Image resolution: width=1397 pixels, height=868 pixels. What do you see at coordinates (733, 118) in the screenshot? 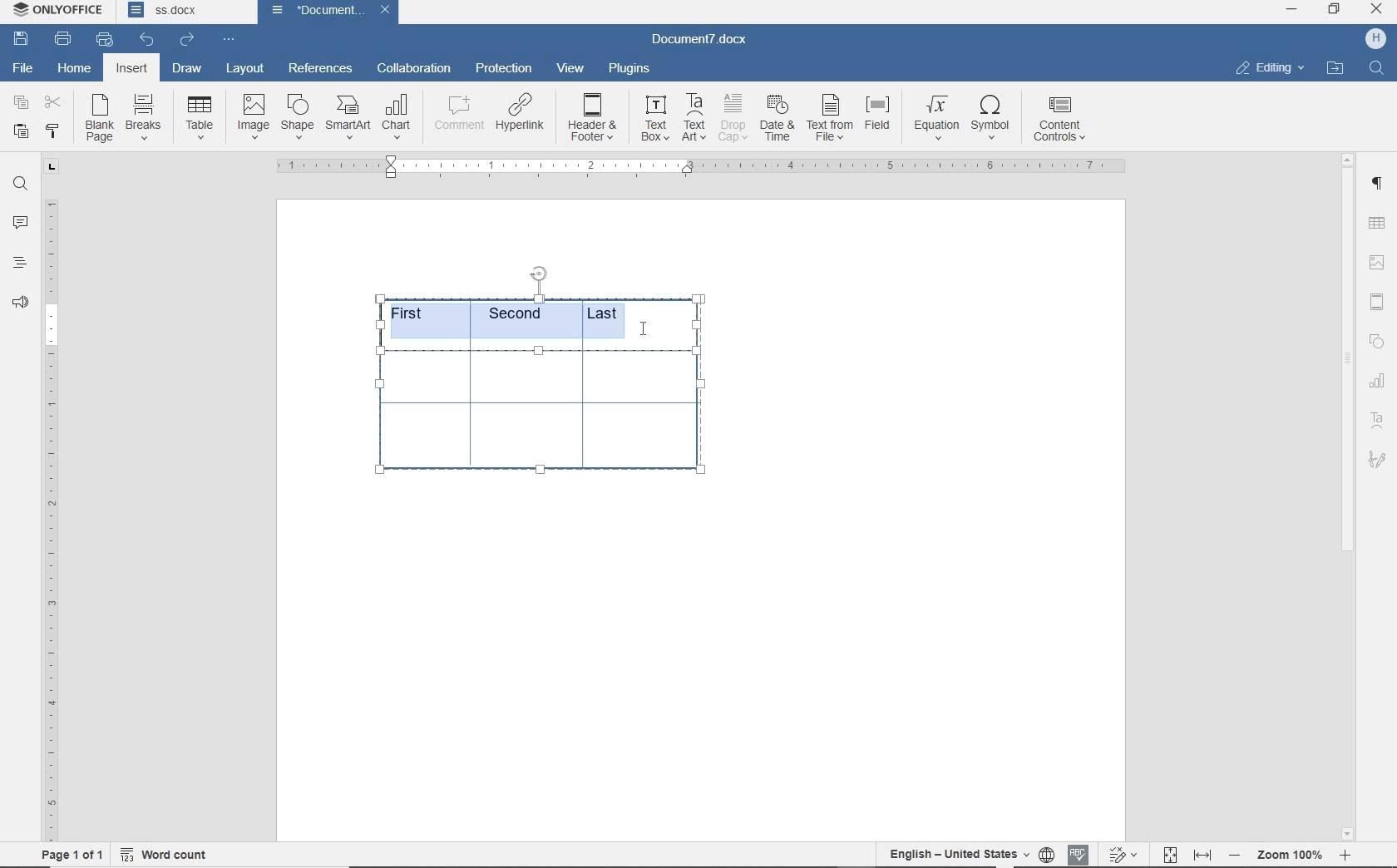
I see `drop cap` at bounding box center [733, 118].